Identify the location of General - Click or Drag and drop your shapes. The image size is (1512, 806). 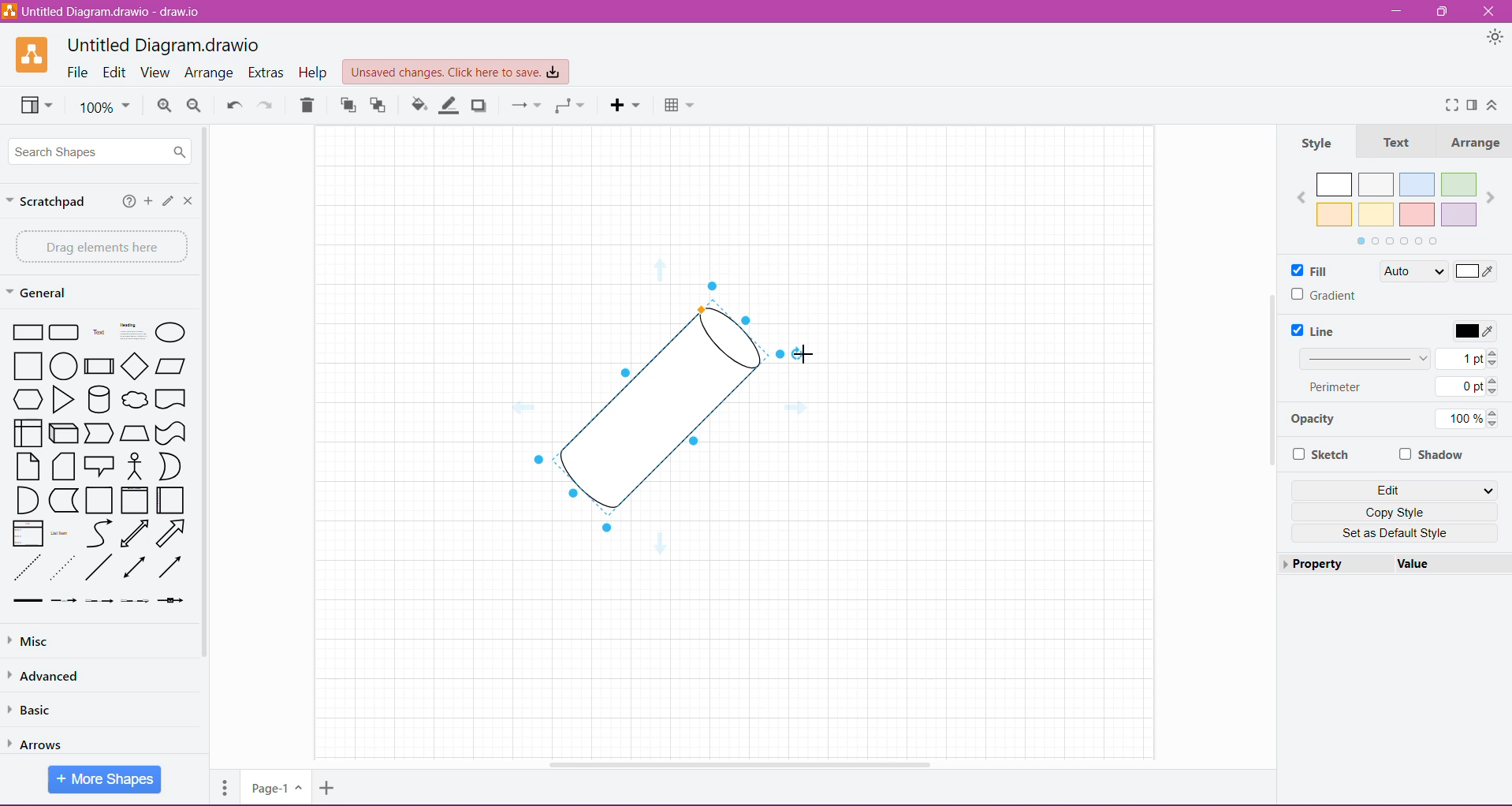
(39, 293).